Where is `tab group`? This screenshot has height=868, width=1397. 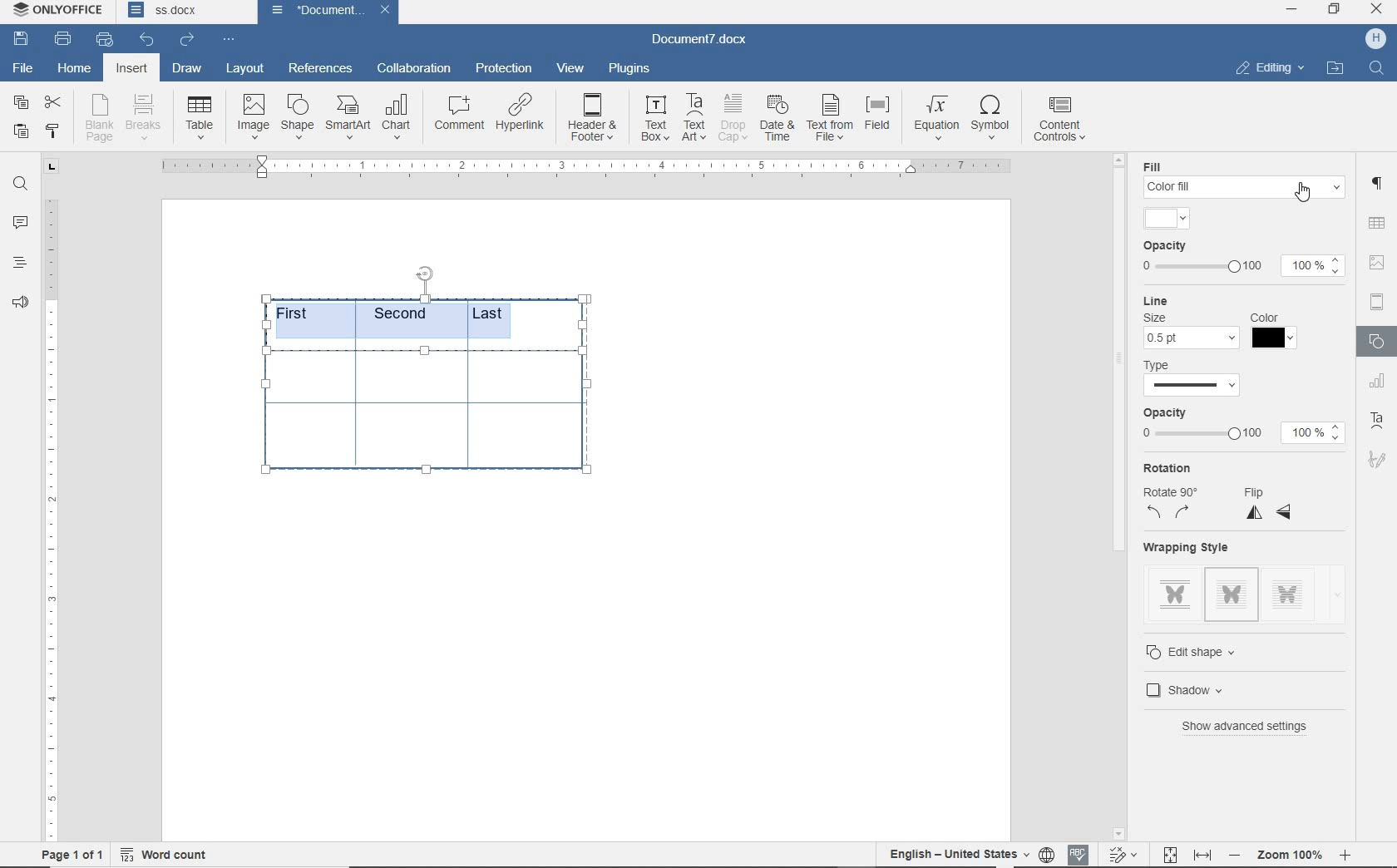
tab group is located at coordinates (49, 167).